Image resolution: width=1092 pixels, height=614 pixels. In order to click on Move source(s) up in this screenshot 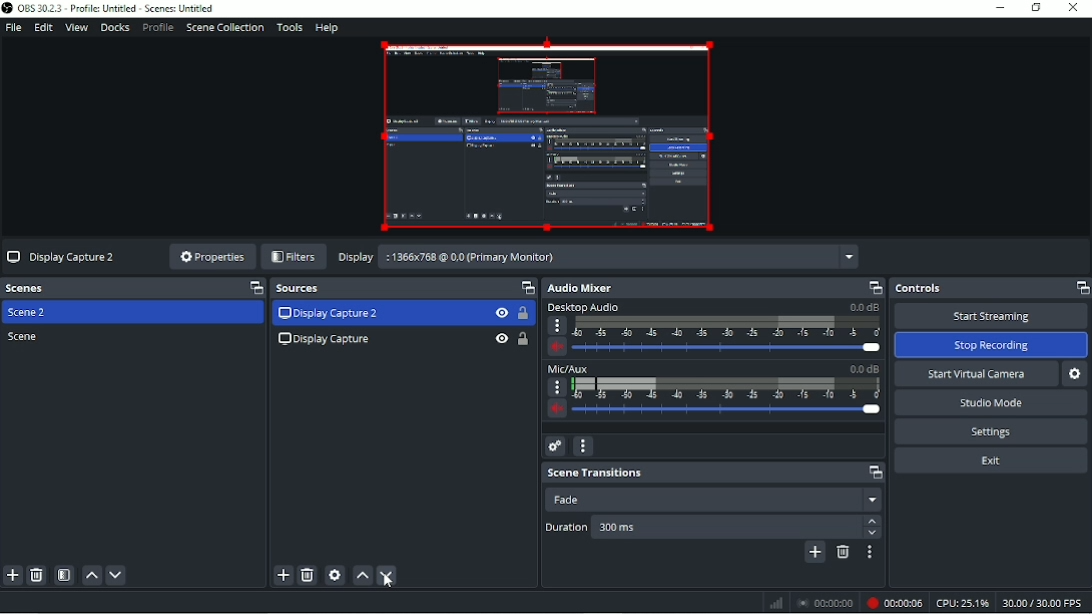, I will do `click(362, 575)`.